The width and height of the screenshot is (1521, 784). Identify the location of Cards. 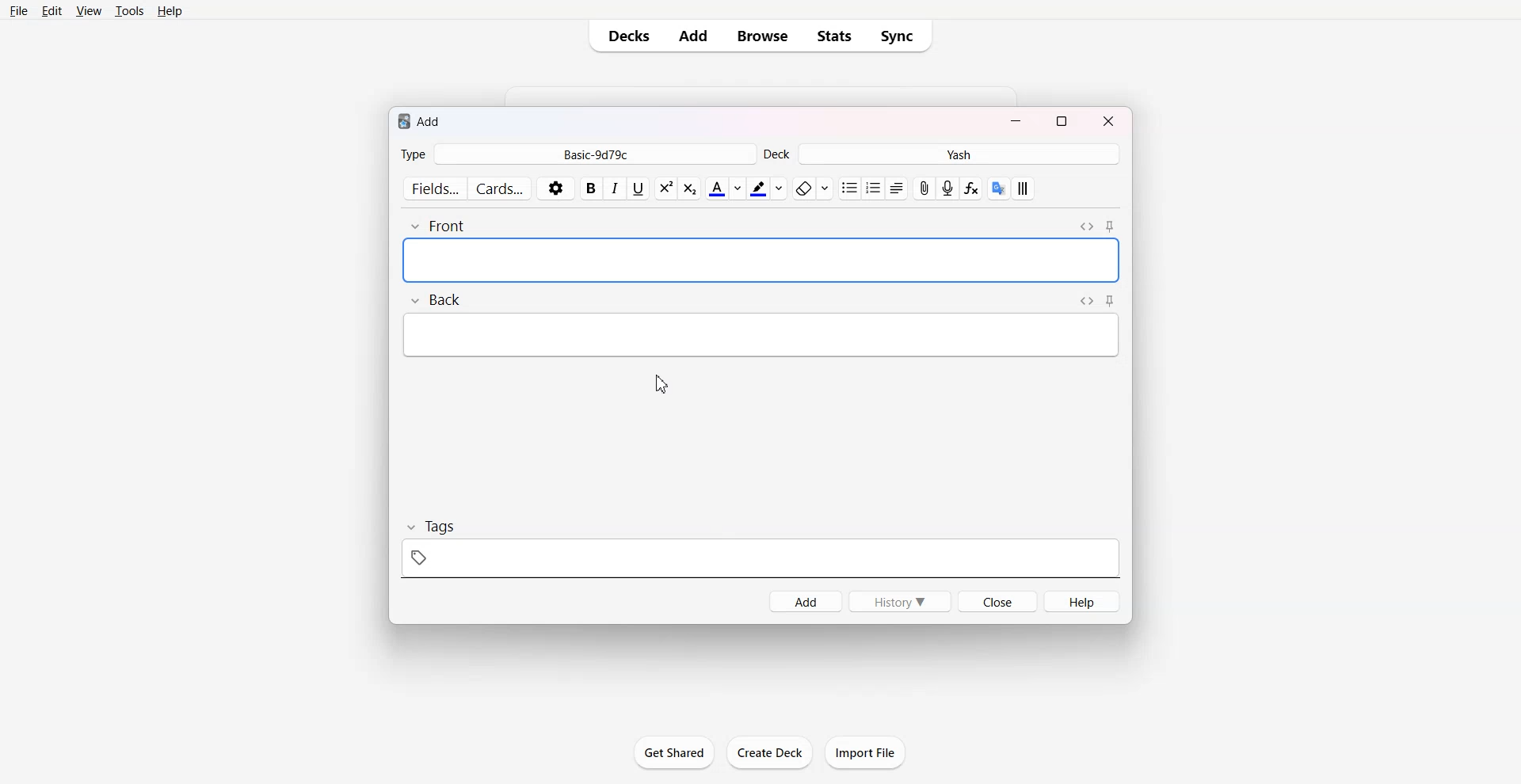
(501, 187).